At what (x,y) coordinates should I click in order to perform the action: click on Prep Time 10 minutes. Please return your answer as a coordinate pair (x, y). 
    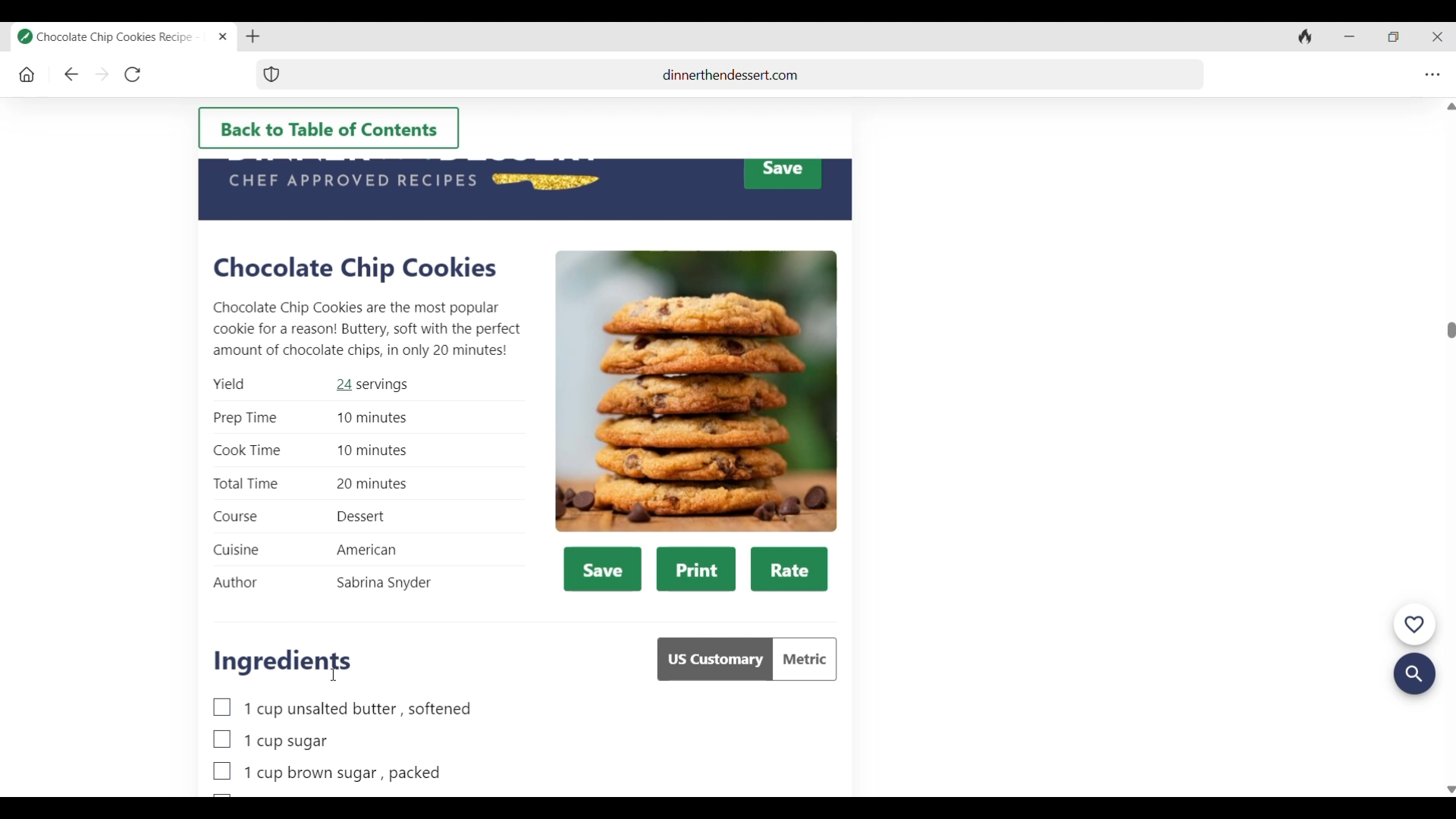
    Looking at the image, I should click on (312, 419).